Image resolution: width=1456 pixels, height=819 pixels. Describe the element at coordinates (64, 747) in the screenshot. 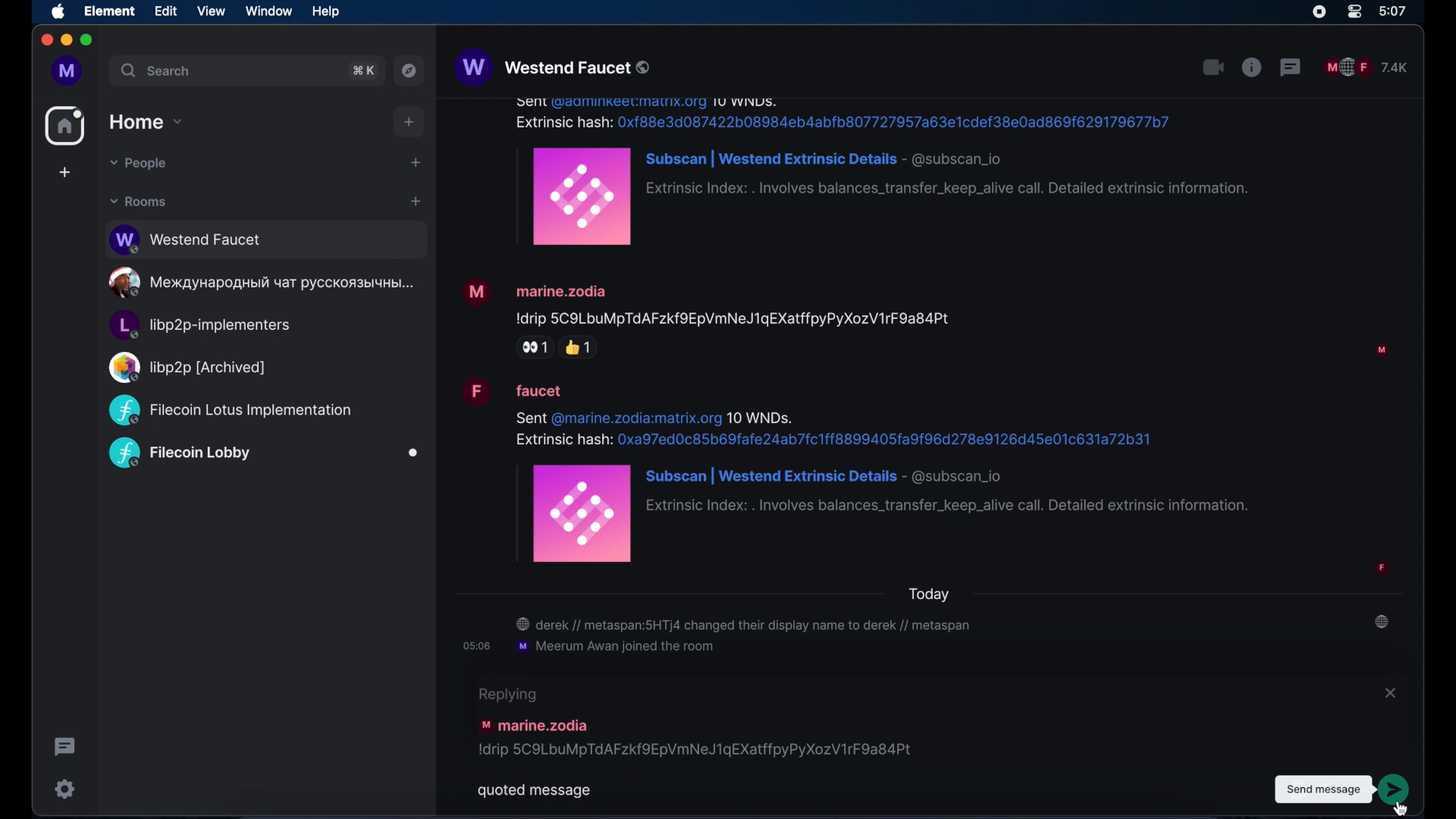

I see `thread activity` at that location.